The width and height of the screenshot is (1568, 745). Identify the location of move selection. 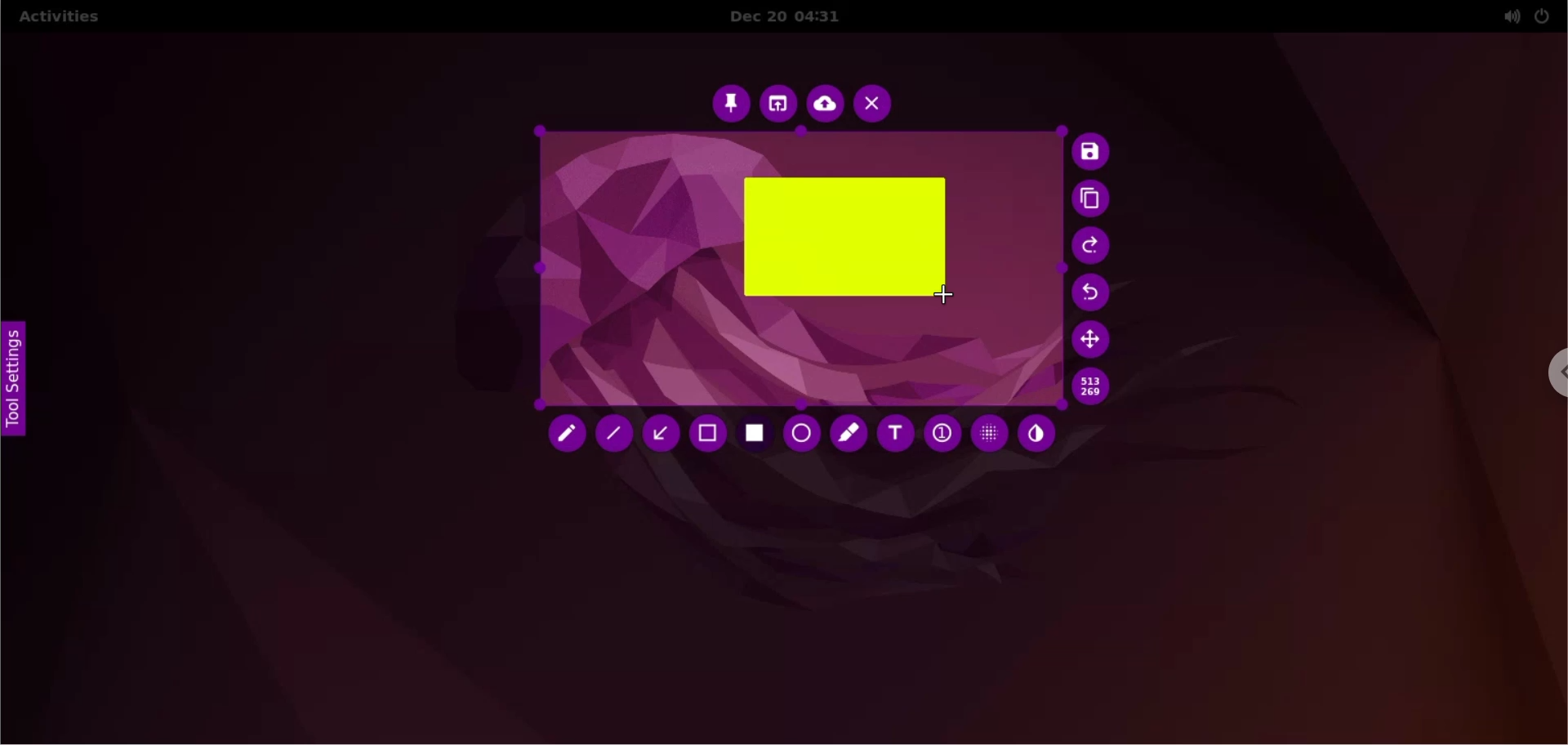
(1092, 340).